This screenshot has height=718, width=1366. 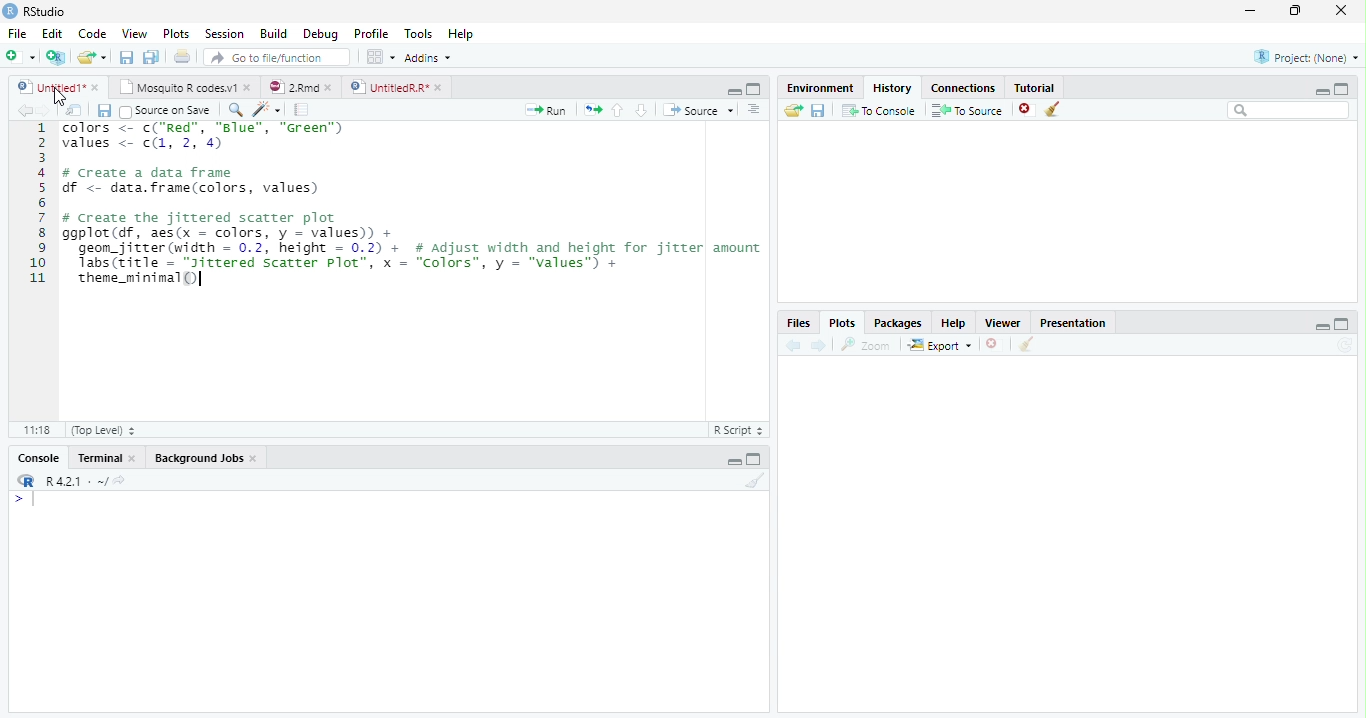 What do you see at coordinates (36, 430) in the screenshot?
I see `1:1` at bounding box center [36, 430].